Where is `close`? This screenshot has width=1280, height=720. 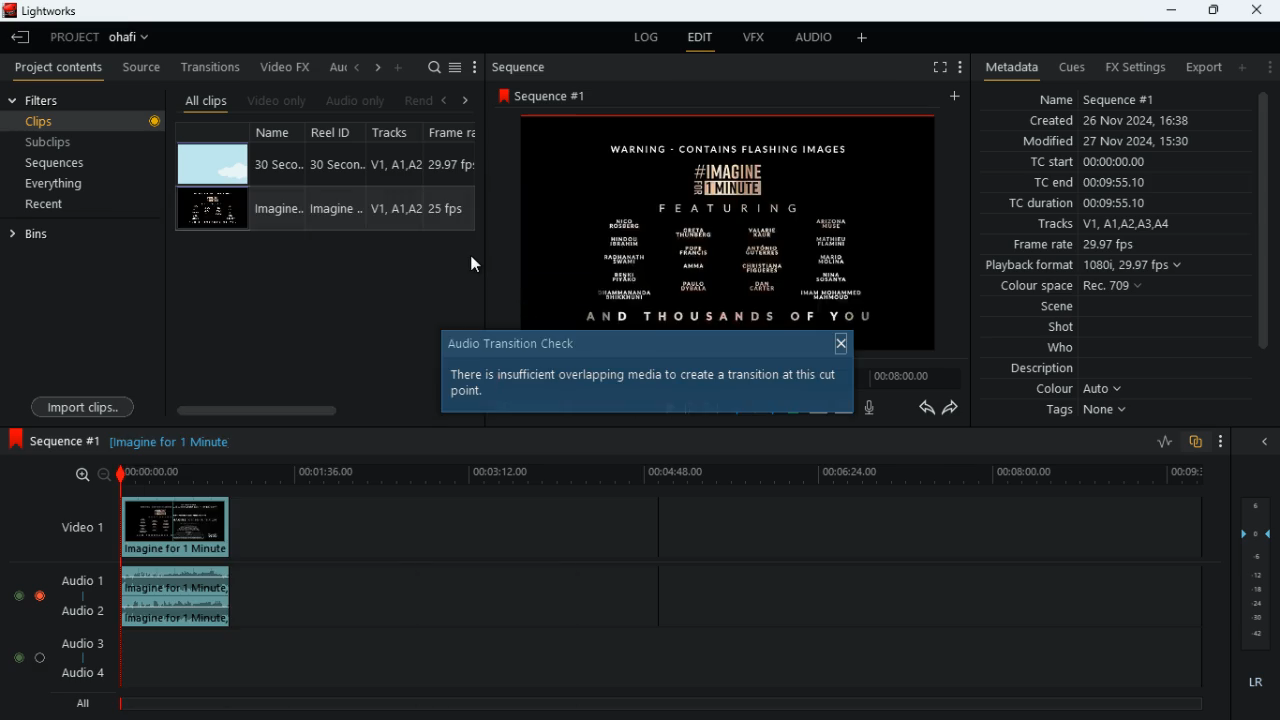
close is located at coordinates (838, 343).